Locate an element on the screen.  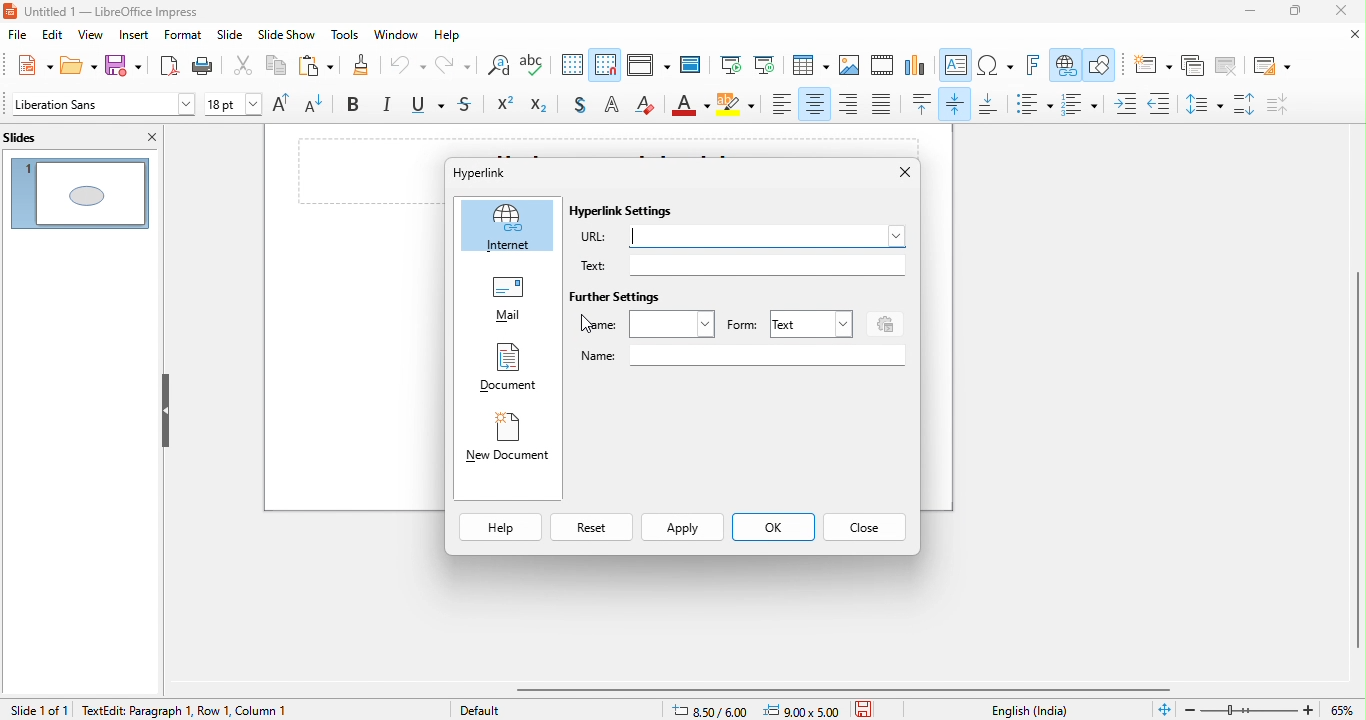
slide is located at coordinates (230, 37).